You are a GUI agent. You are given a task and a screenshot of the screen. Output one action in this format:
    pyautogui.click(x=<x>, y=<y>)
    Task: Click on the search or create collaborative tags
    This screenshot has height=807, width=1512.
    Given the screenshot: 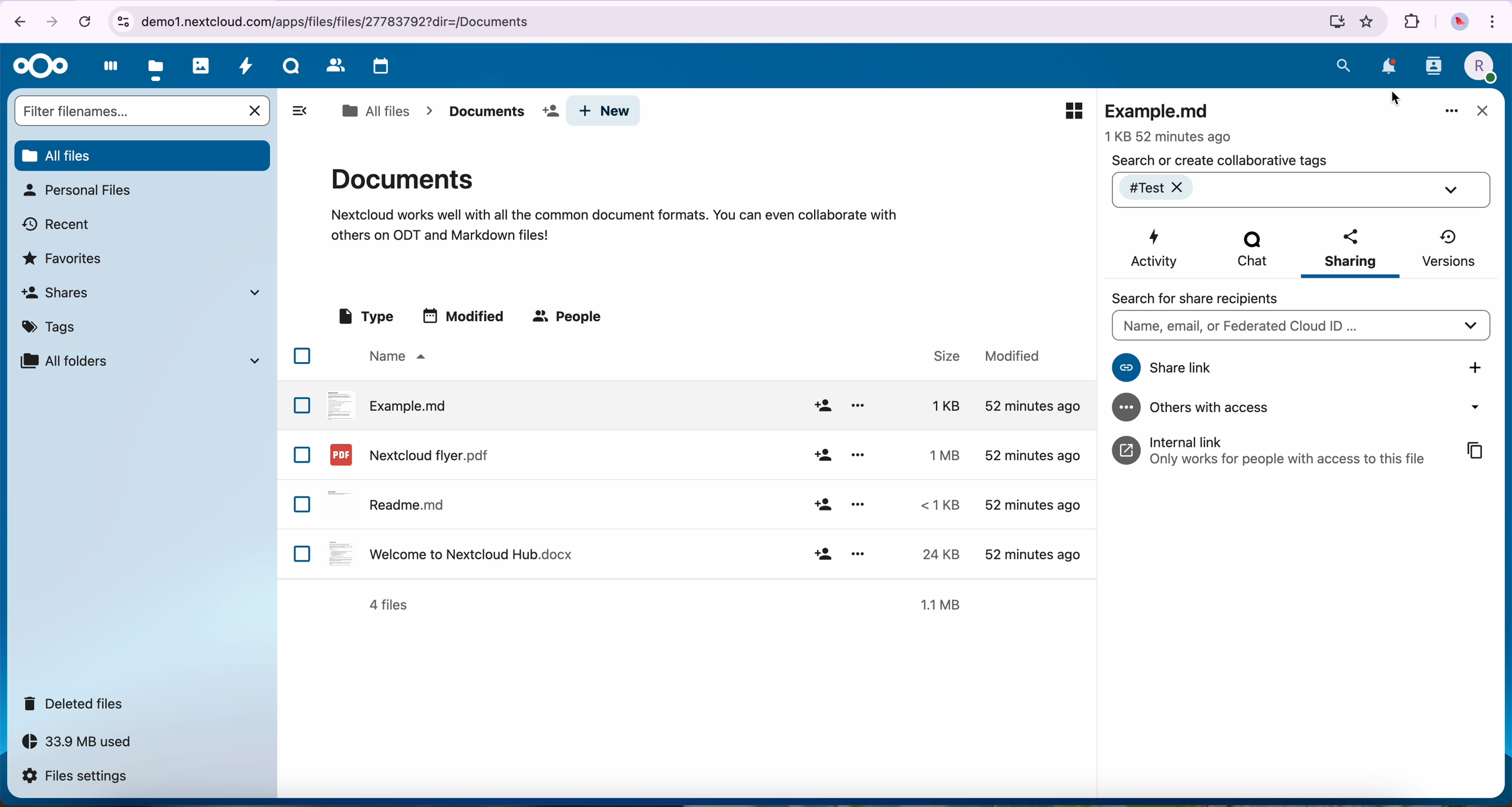 What is the action you would take?
    pyautogui.click(x=1220, y=160)
    